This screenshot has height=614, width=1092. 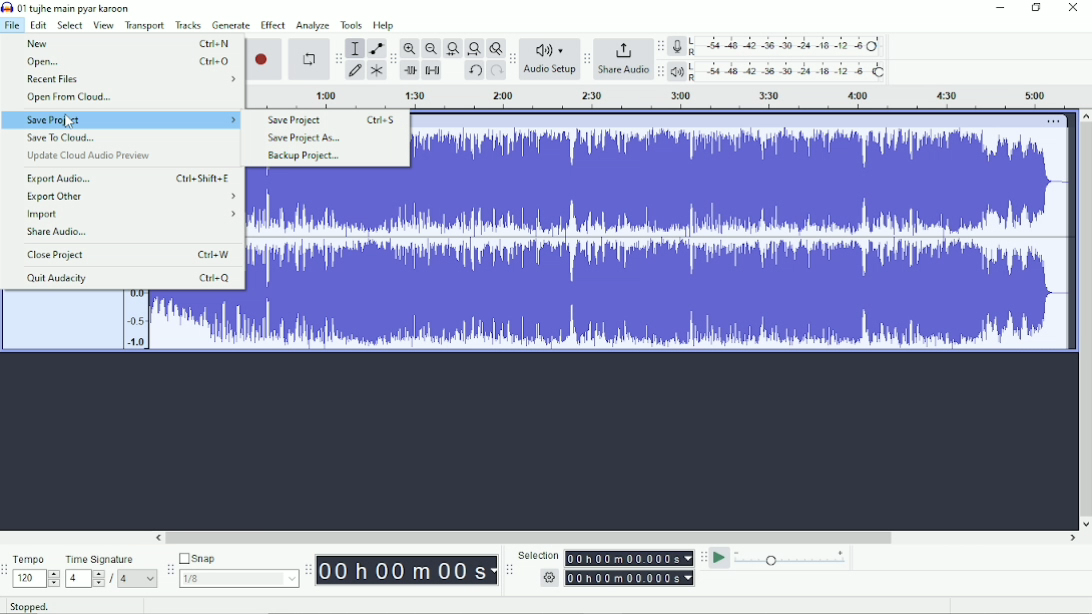 I want to click on Zoom Out, so click(x=430, y=48).